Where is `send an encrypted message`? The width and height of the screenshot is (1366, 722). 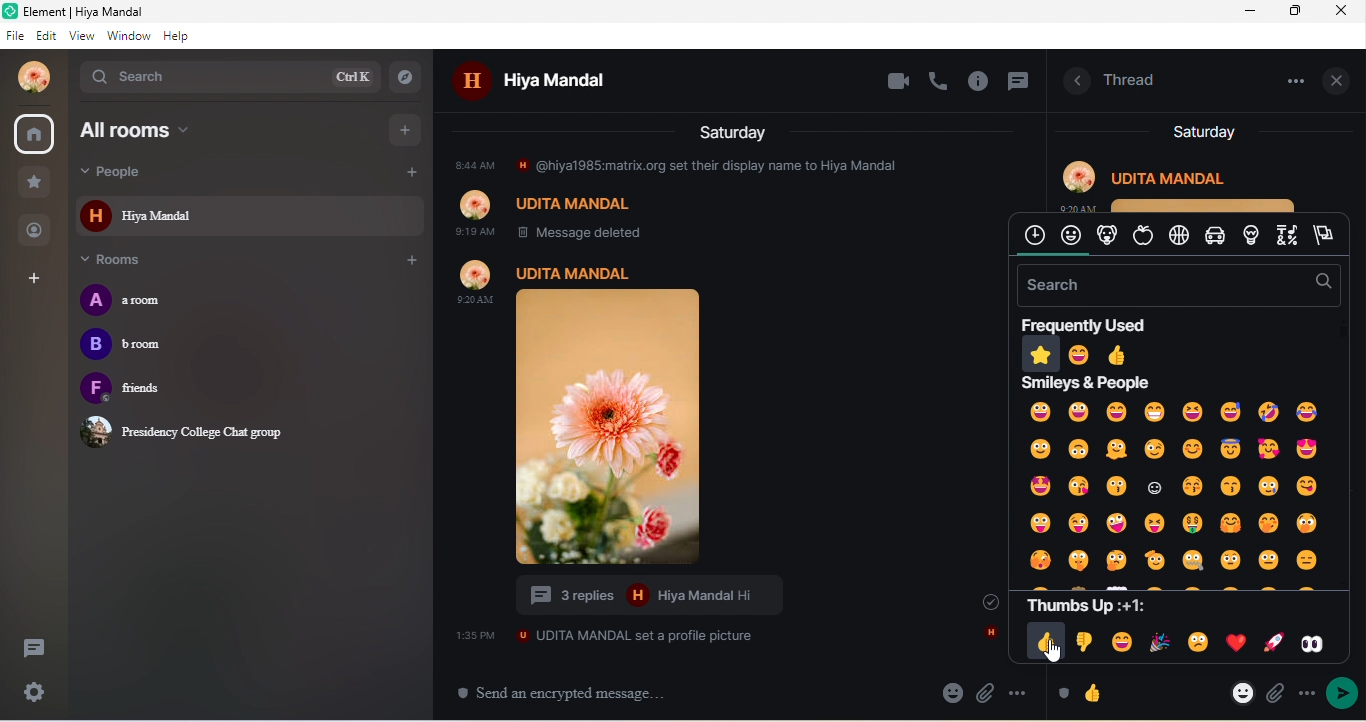
send an encrypted message is located at coordinates (571, 693).